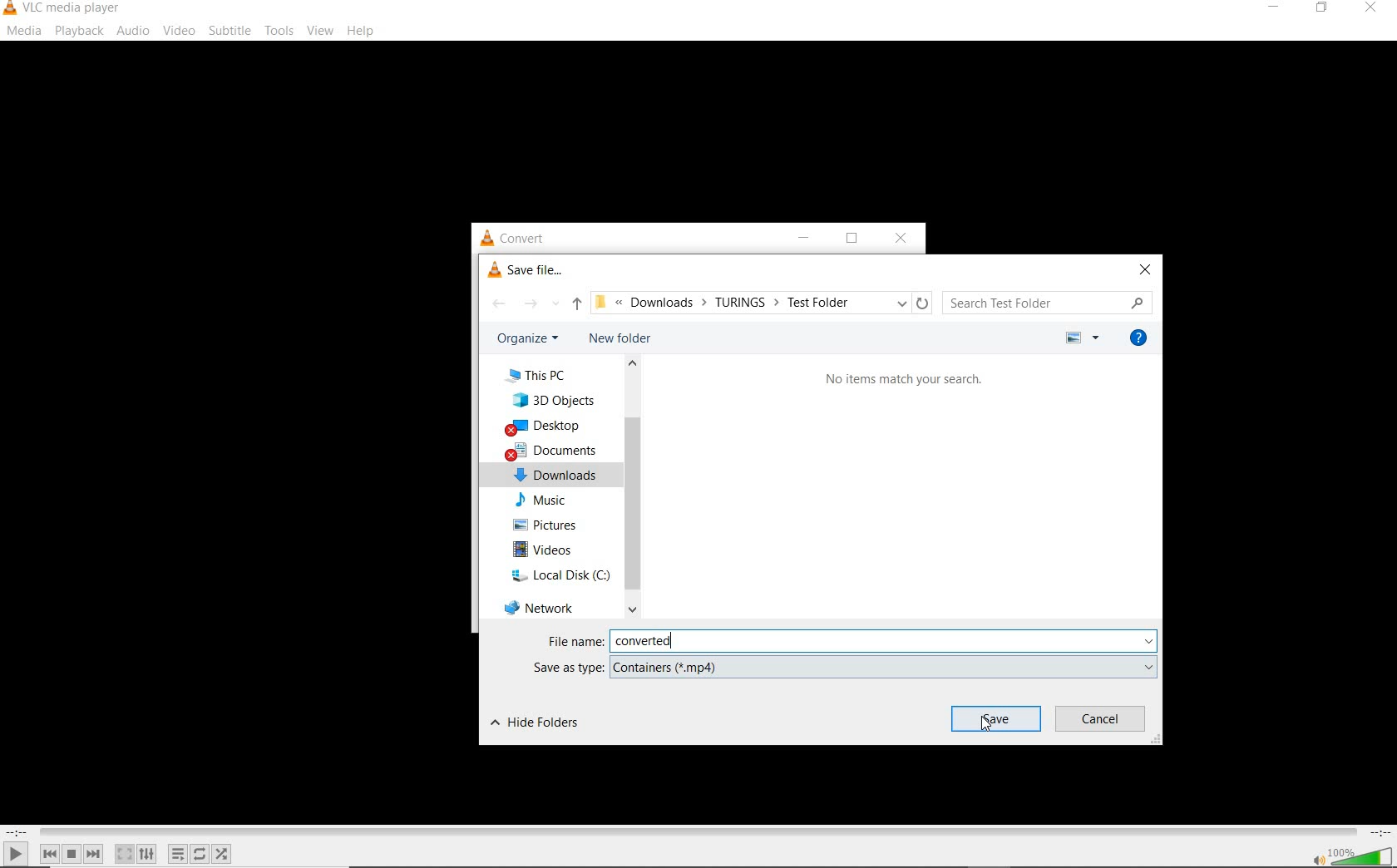 The width and height of the screenshot is (1397, 868). Describe the element at coordinates (901, 302) in the screenshot. I see `previous locations` at that location.